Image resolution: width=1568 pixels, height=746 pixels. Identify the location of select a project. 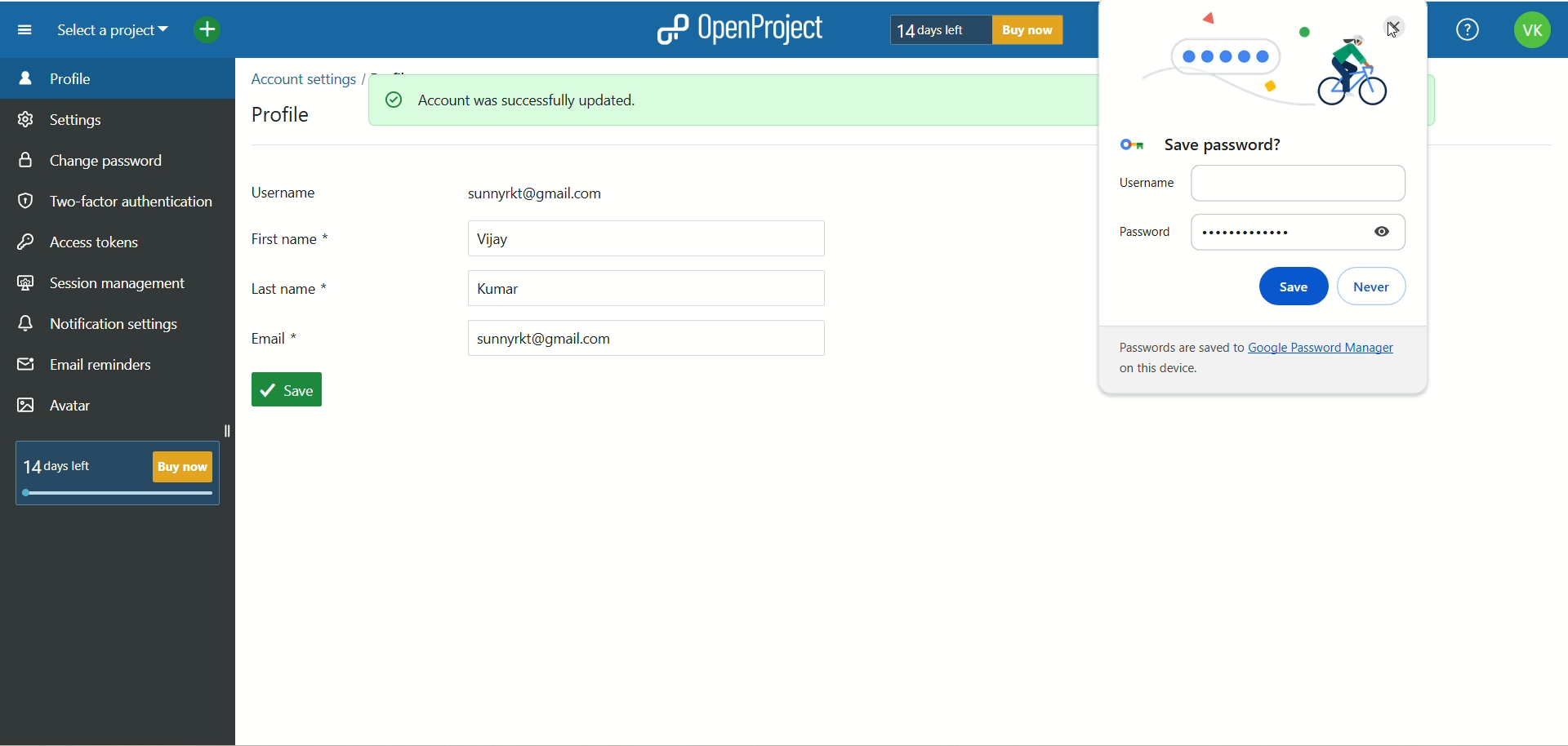
(119, 33).